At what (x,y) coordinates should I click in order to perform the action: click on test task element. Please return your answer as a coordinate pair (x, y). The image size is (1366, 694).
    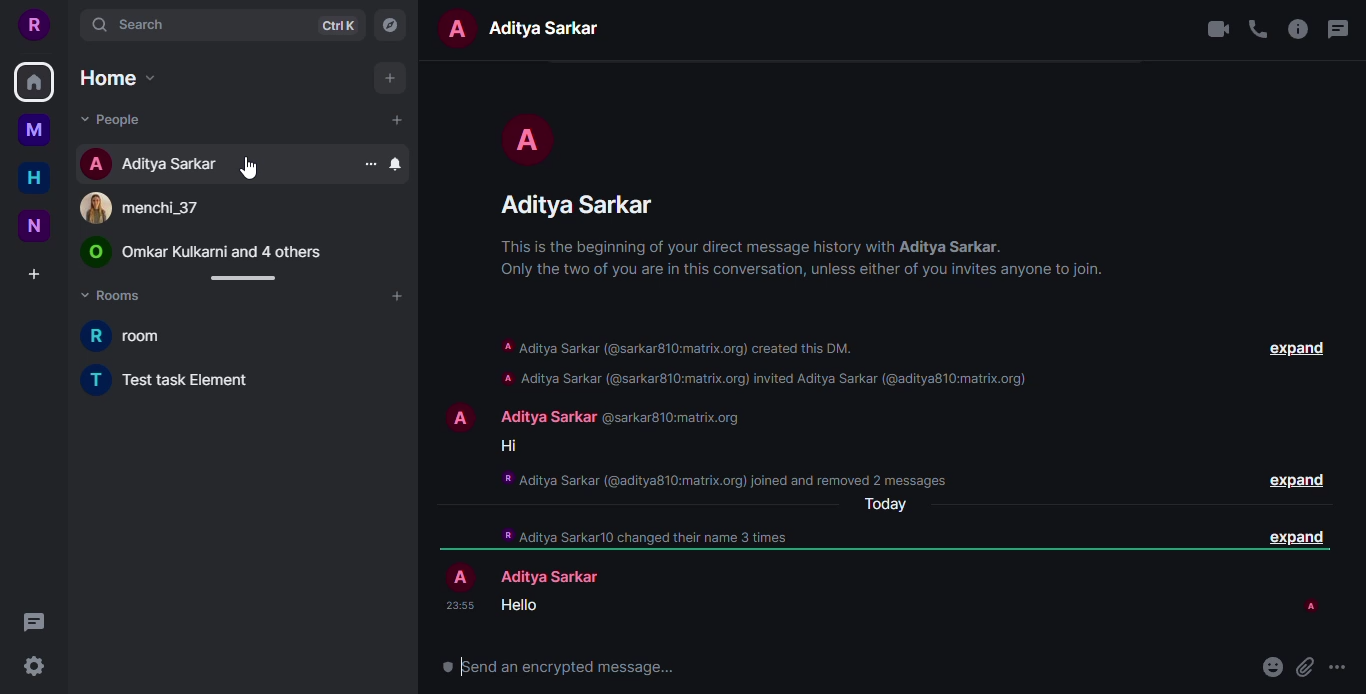
    Looking at the image, I should click on (173, 378).